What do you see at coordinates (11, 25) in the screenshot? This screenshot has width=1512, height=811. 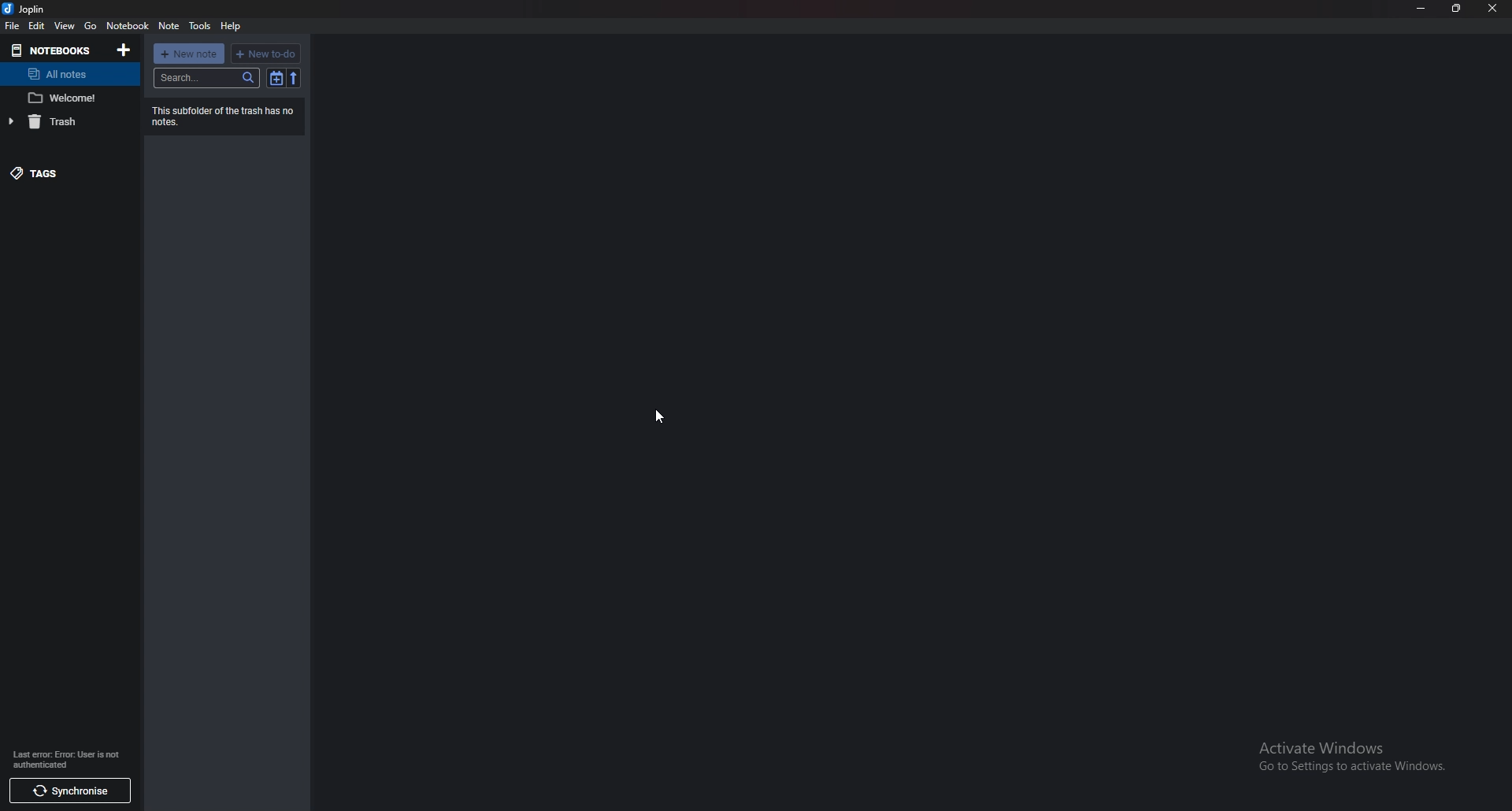 I see `file` at bounding box center [11, 25].